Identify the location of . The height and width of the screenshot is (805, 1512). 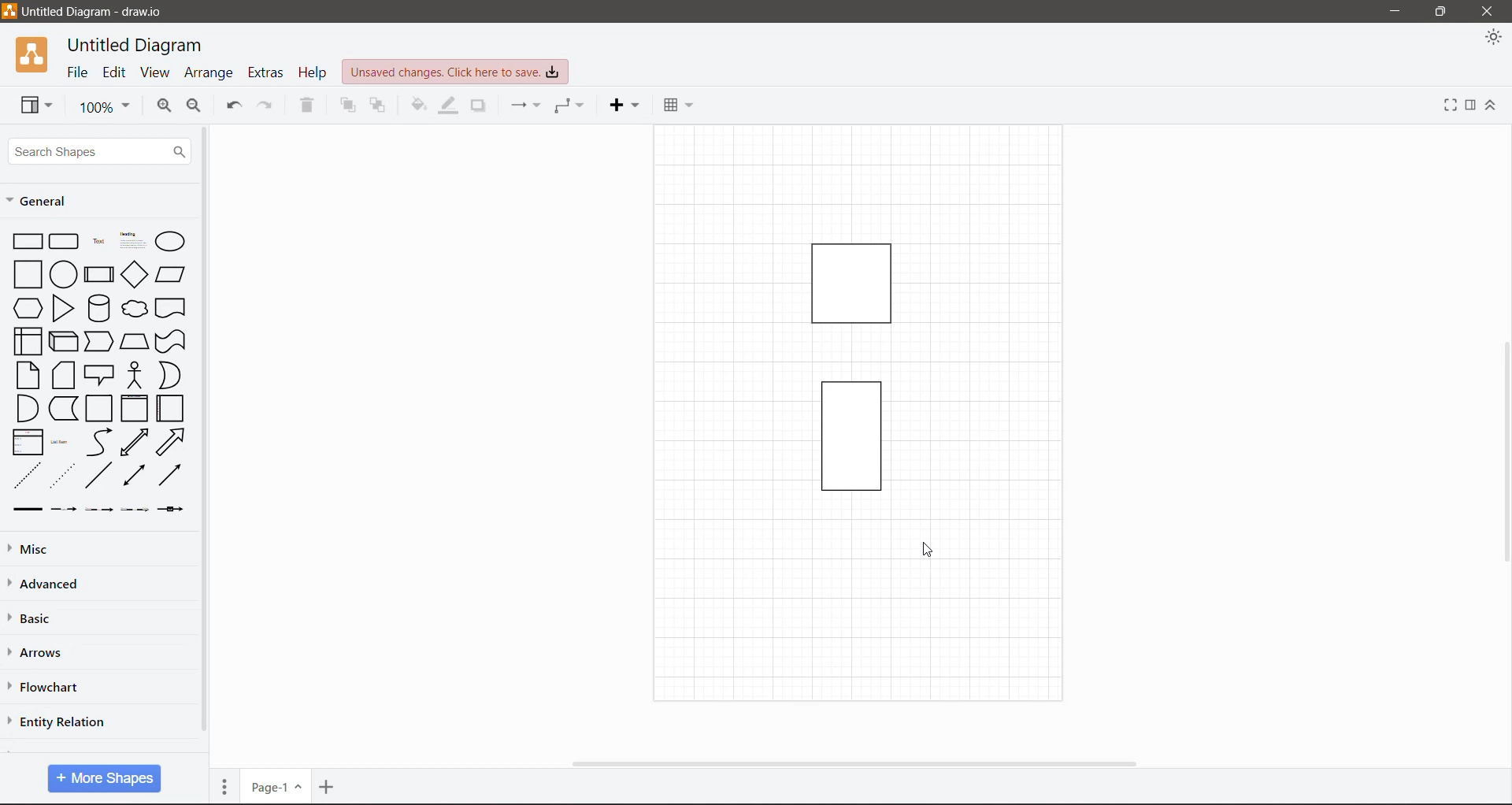
(138, 45).